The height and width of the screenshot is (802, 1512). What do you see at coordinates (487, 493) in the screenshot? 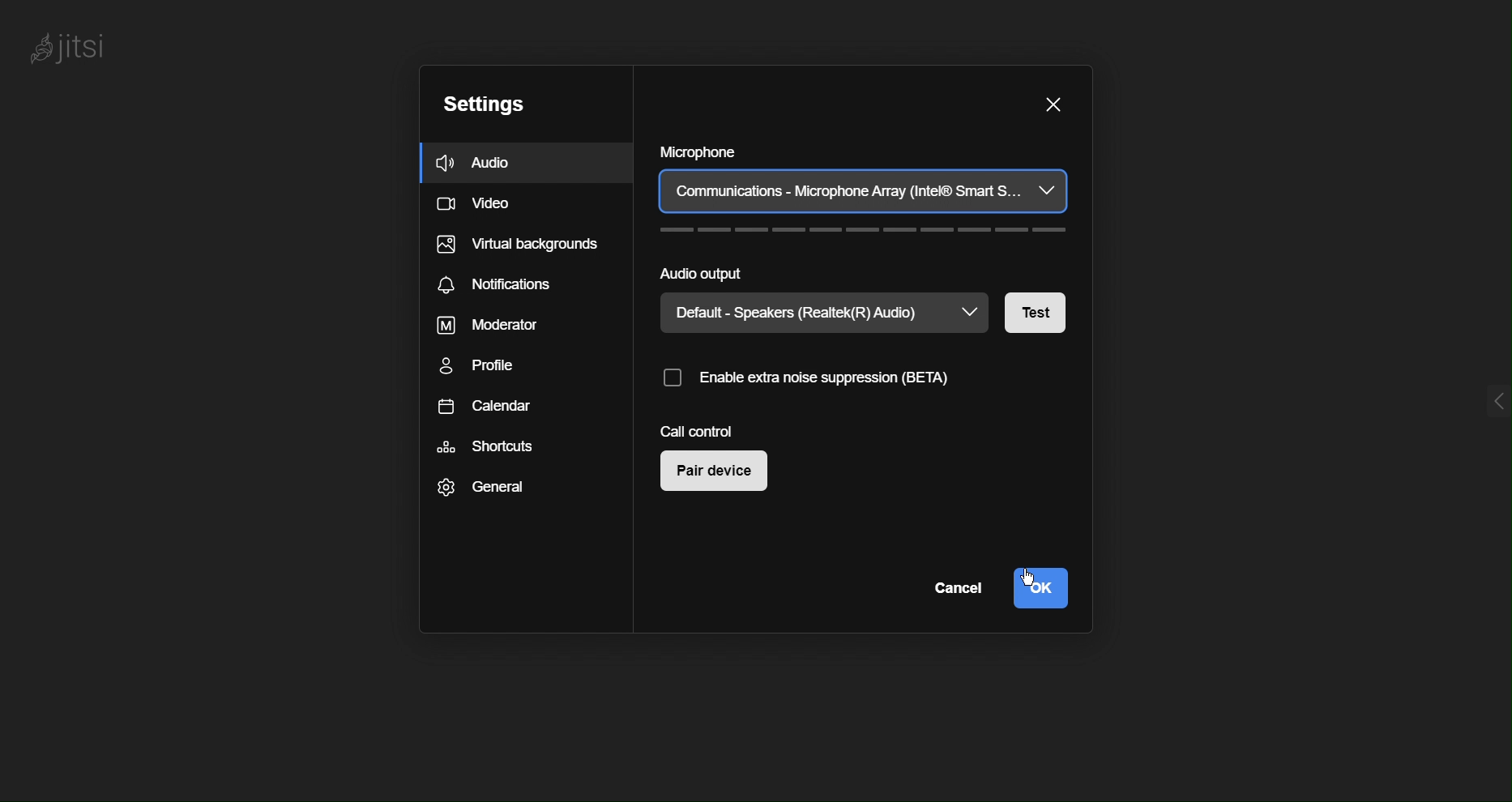
I see `General` at bounding box center [487, 493].